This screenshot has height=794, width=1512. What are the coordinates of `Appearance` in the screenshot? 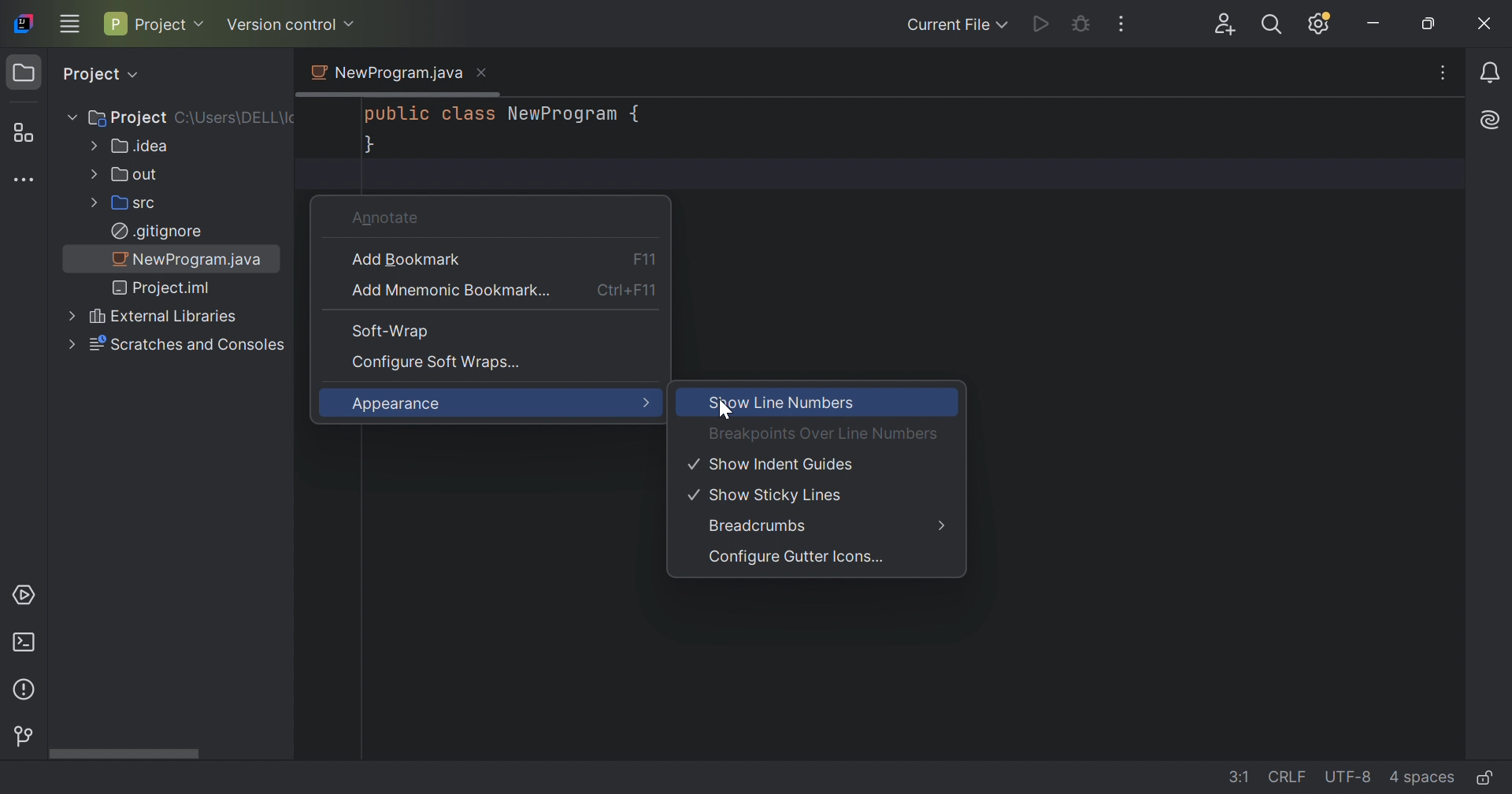 It's located at (401, 405).